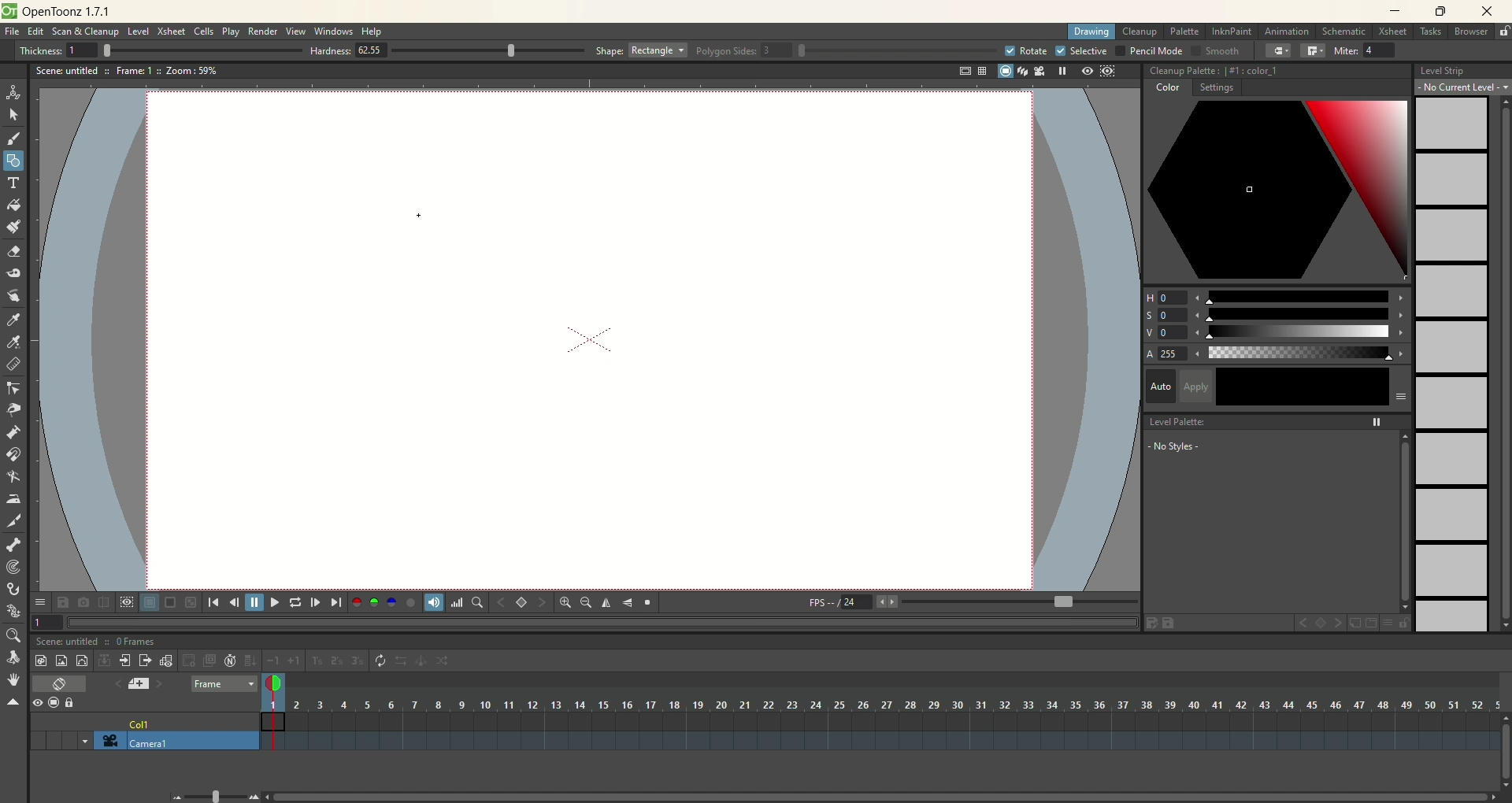  What do you see at coordinates (1462, 68) in the screenshot?
I see `level strip` at bounding box center [1462, 68].